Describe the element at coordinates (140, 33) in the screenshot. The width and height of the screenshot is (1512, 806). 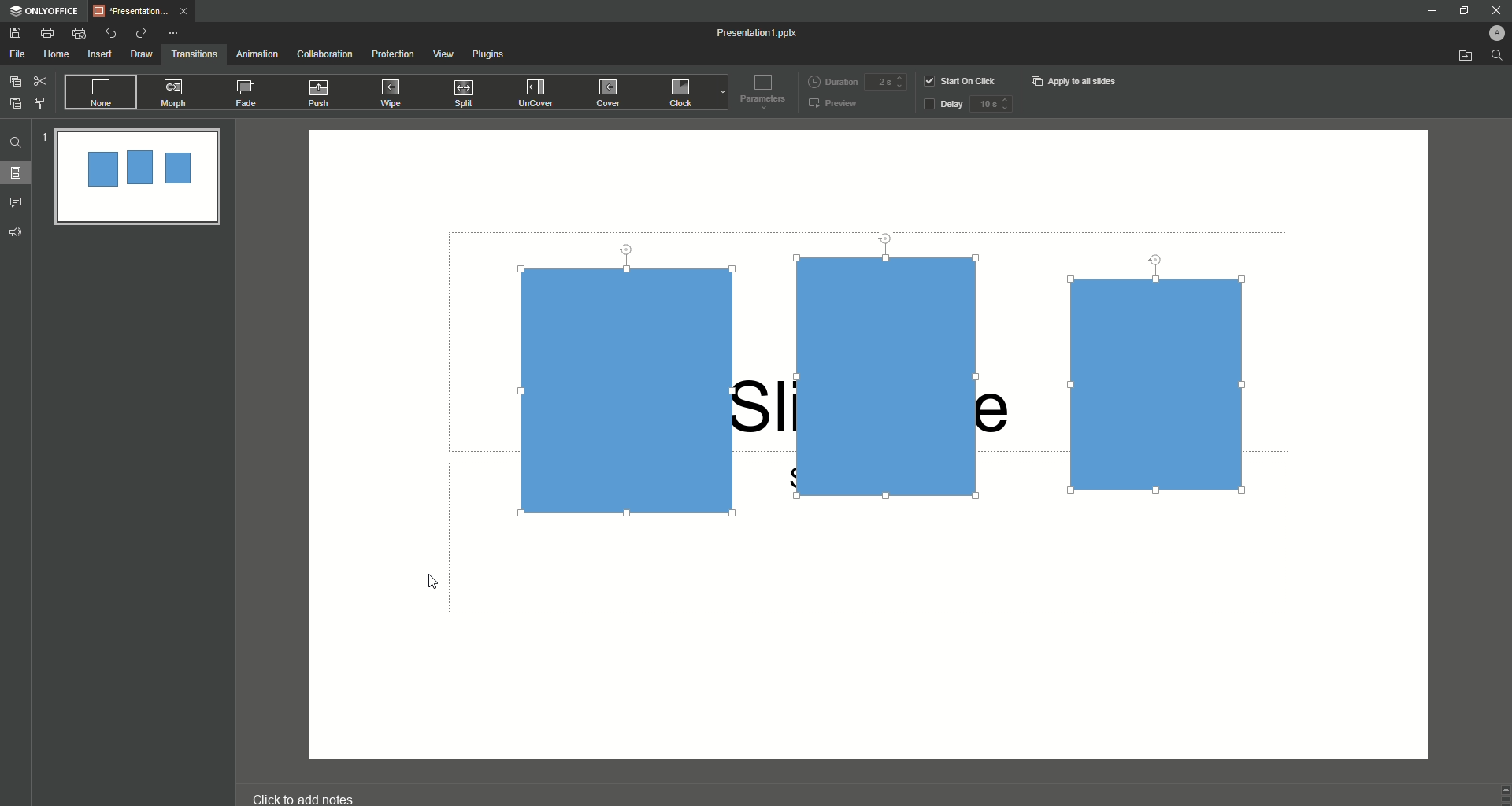
I see `Redo` at that location.